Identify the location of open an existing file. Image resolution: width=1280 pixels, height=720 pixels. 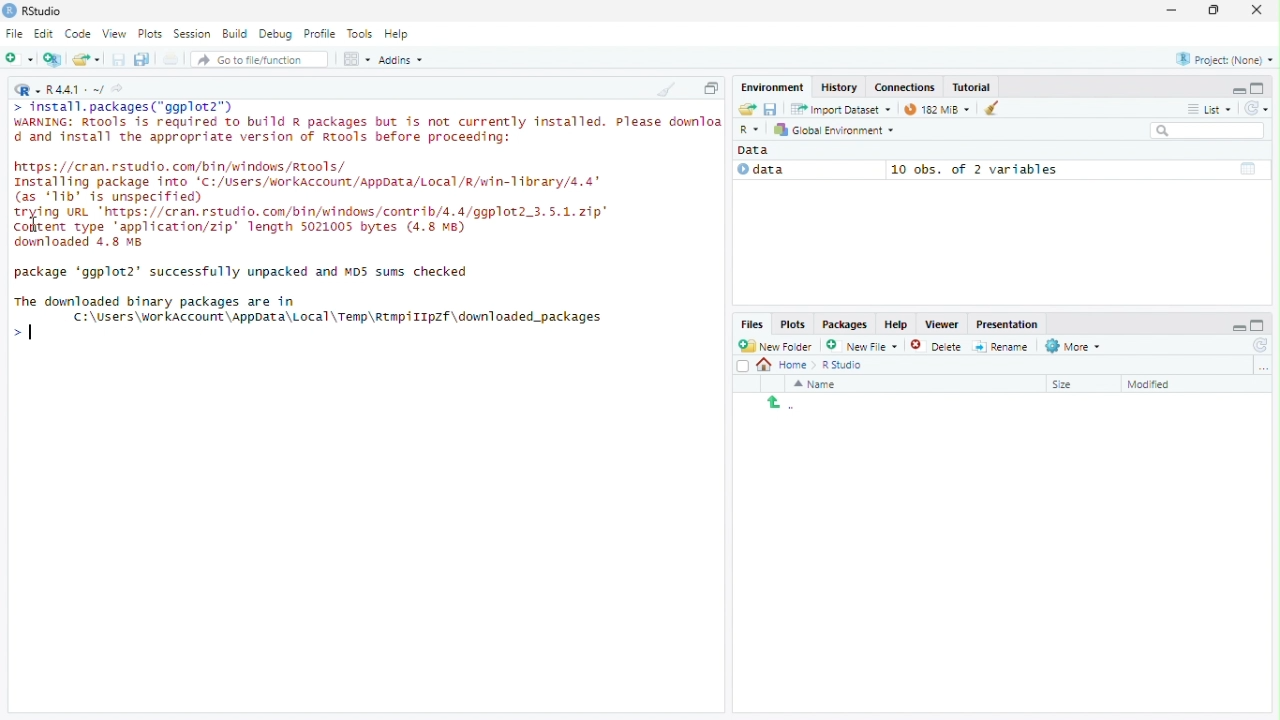
(89, 59).